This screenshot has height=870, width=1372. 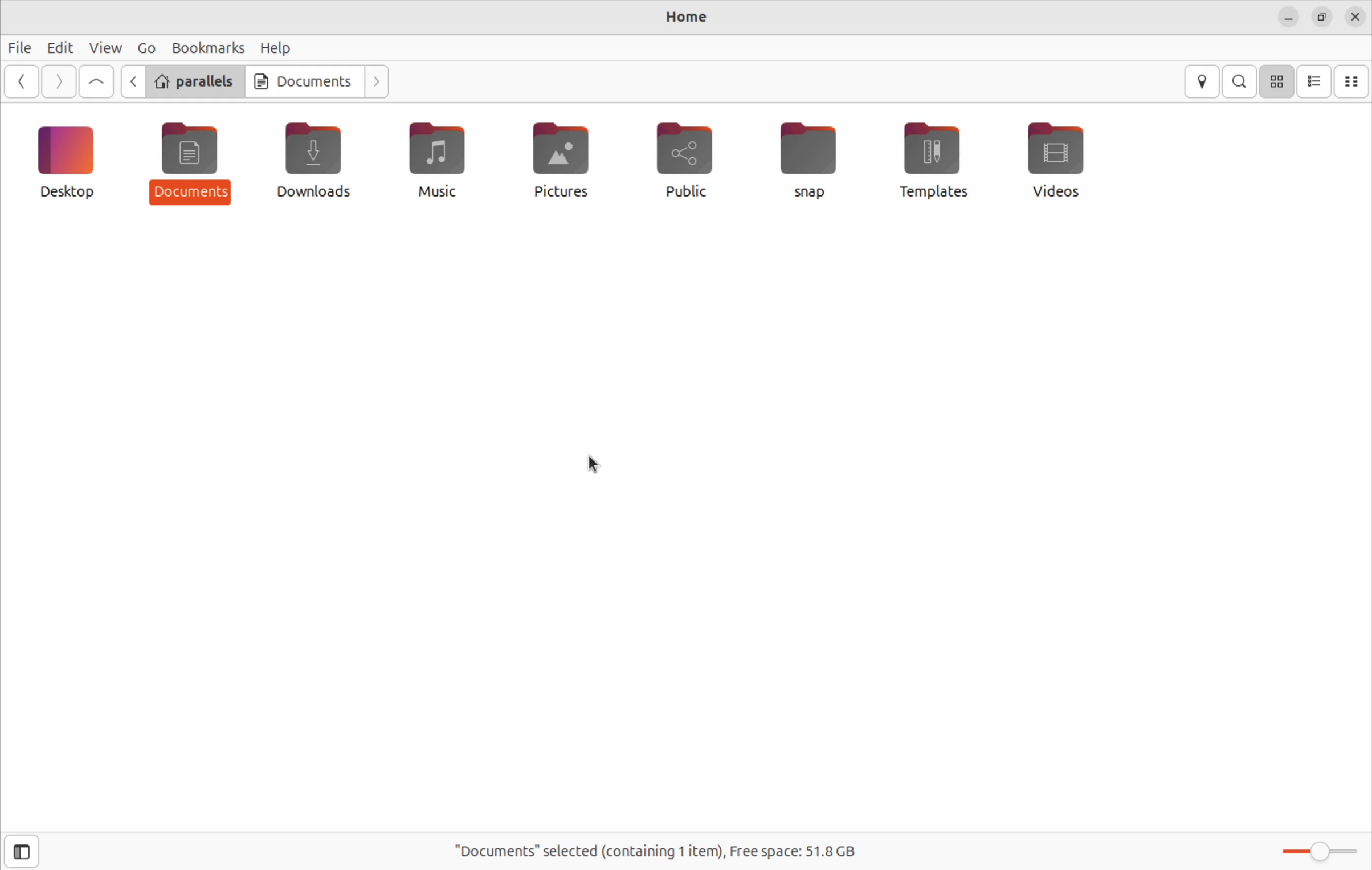 I want to click on public, so click(x=695, y=160).